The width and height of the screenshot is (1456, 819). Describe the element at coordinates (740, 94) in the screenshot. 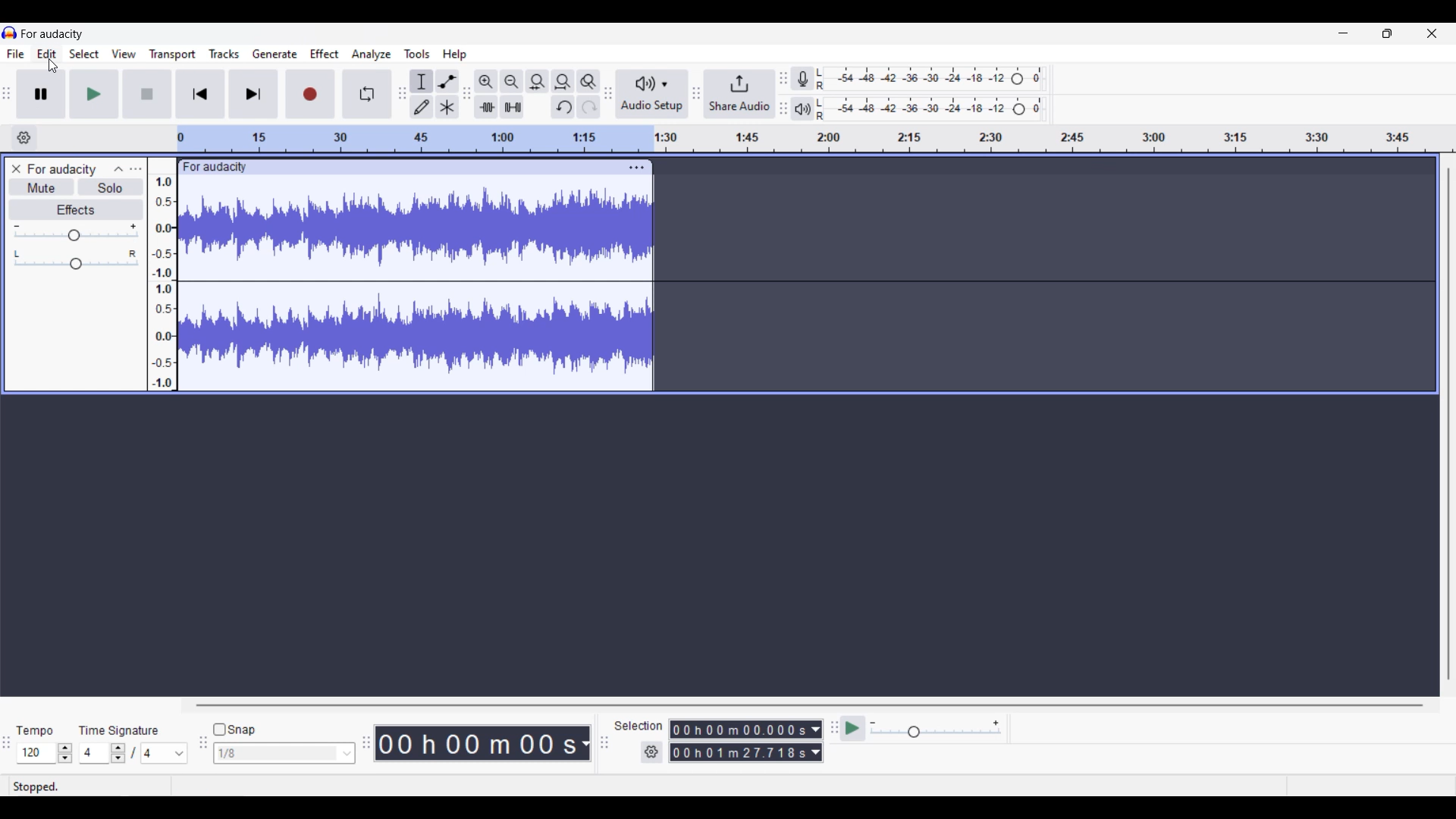

I see `Share audio` at that location.